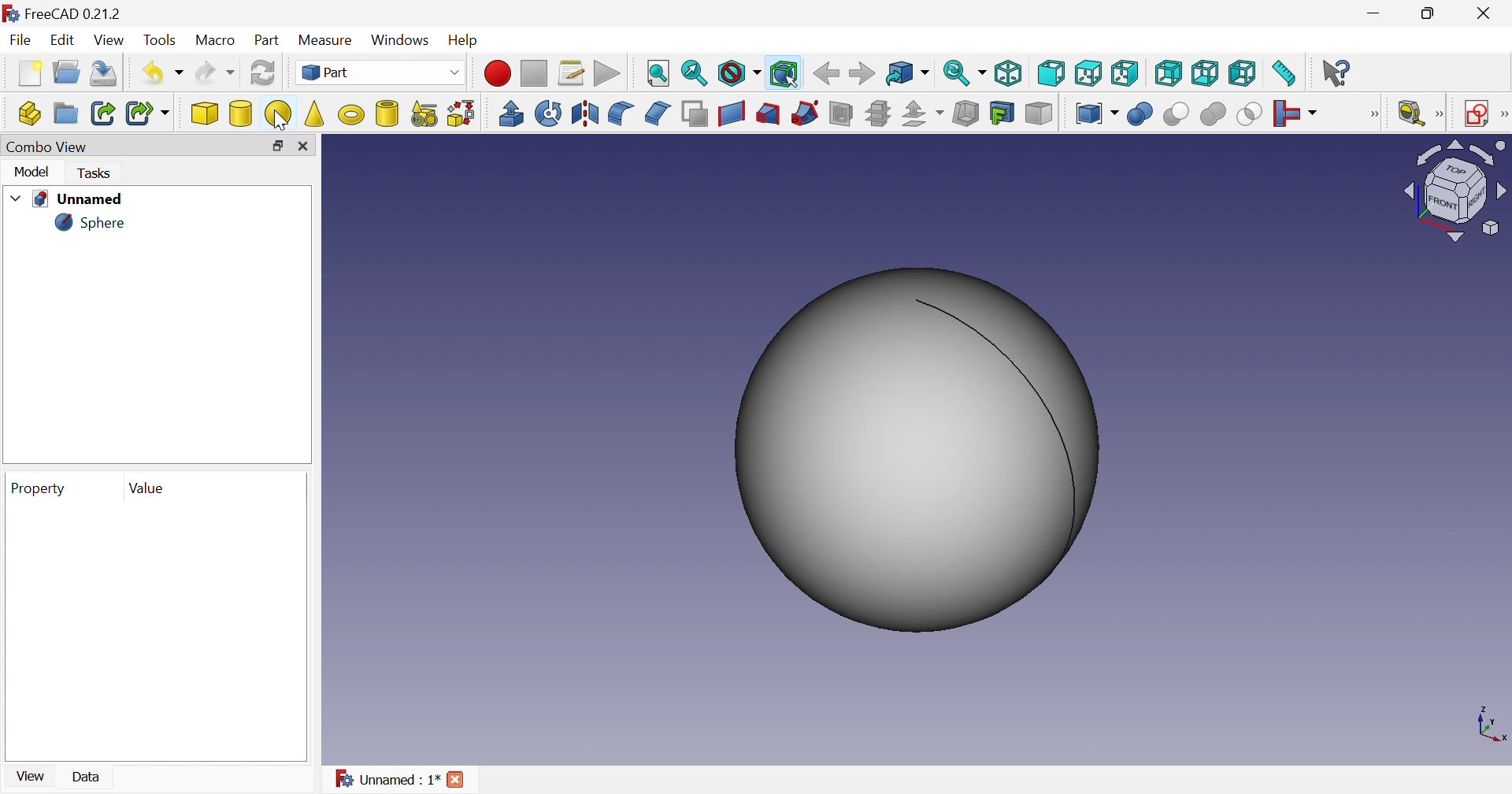  I want to click on Value, so click(145, 486).